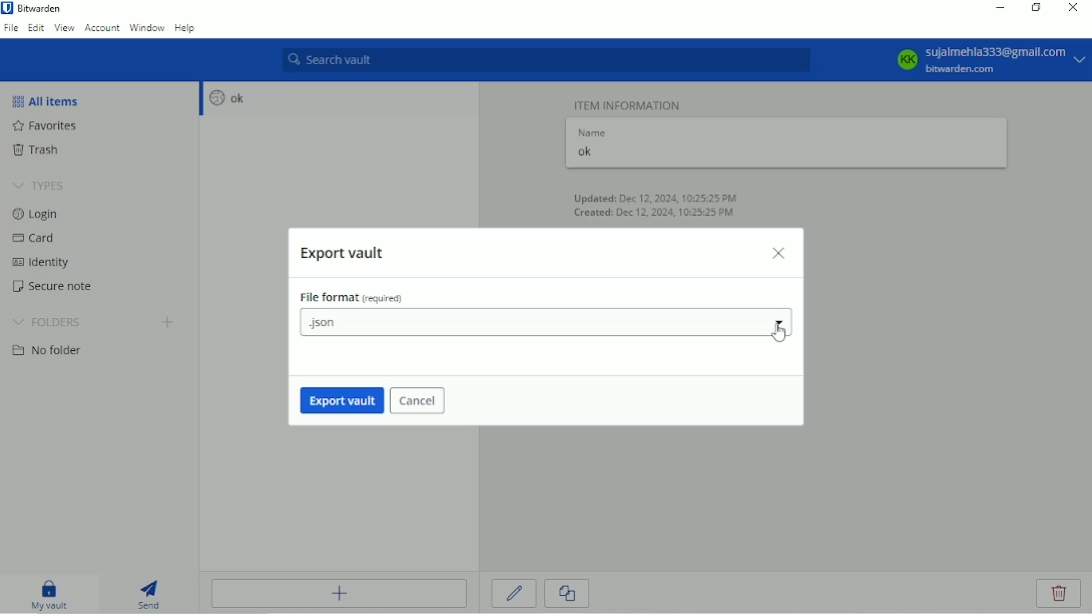  Describe the element at coordinates (346, 254) in the screenshot. I see `Export vault` at that location.